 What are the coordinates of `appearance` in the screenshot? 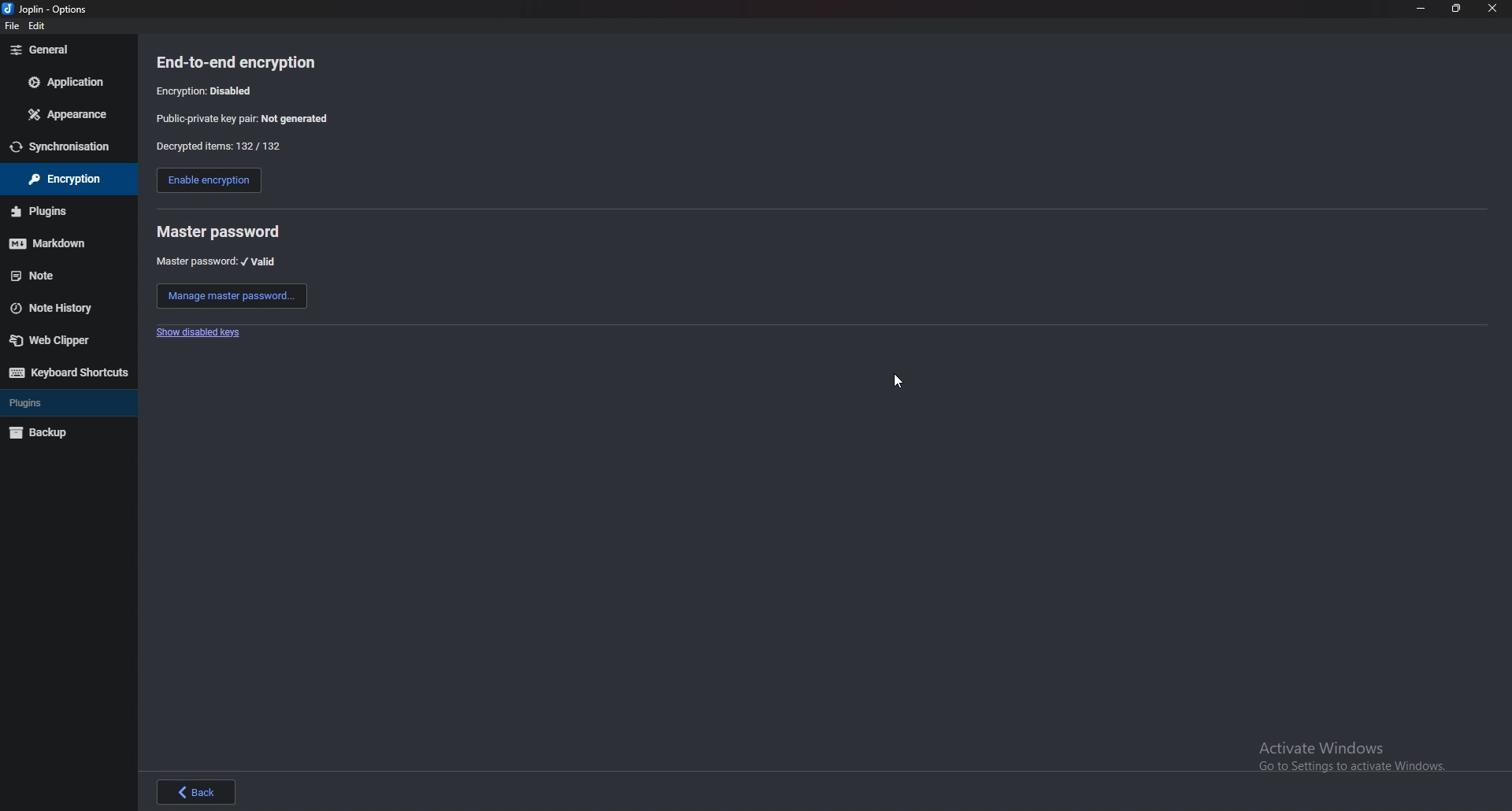 It's located at (65, 115).